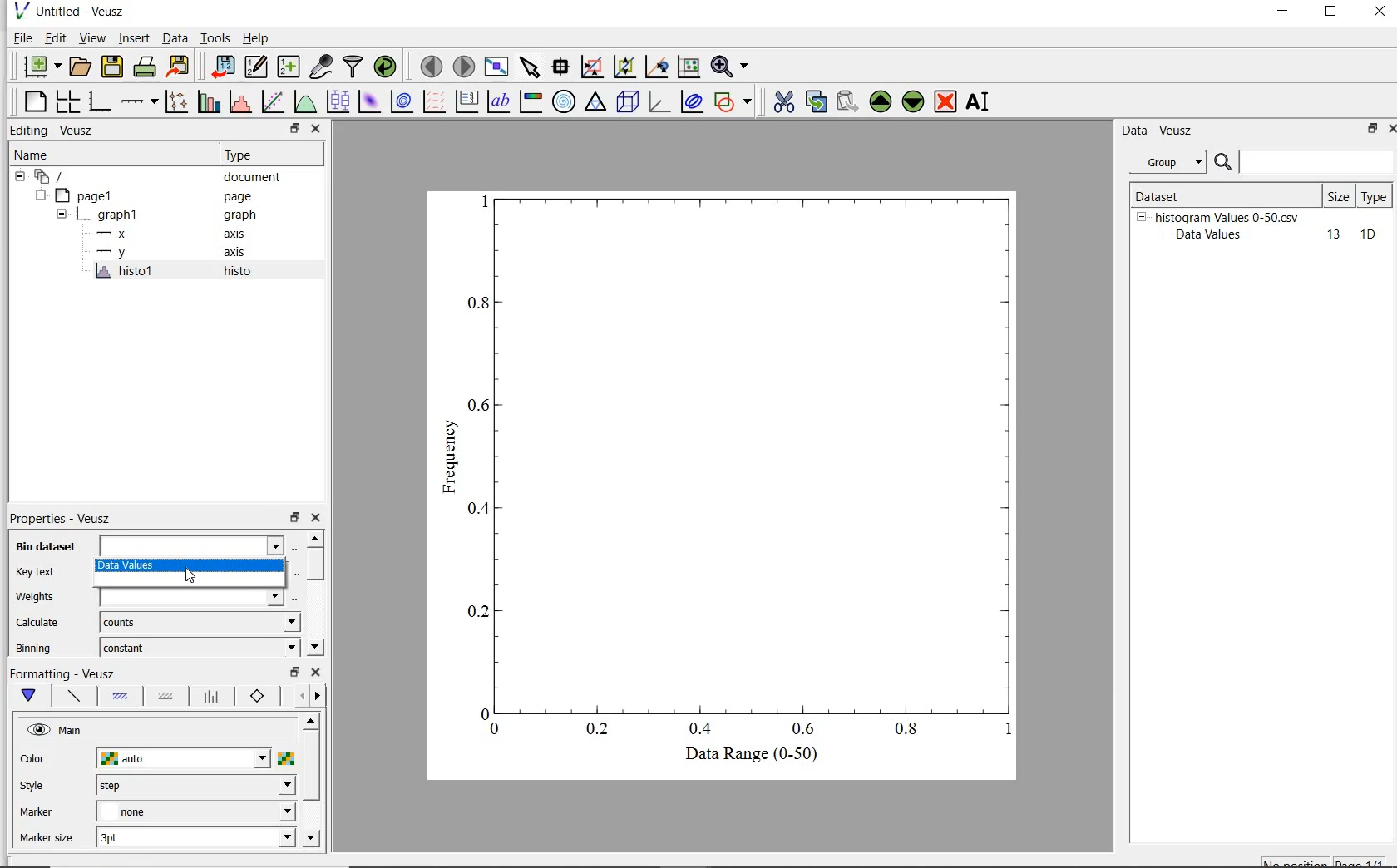  Describe the element at coordinates (299, 697) in the screenshot. I see `previous ` at that location.